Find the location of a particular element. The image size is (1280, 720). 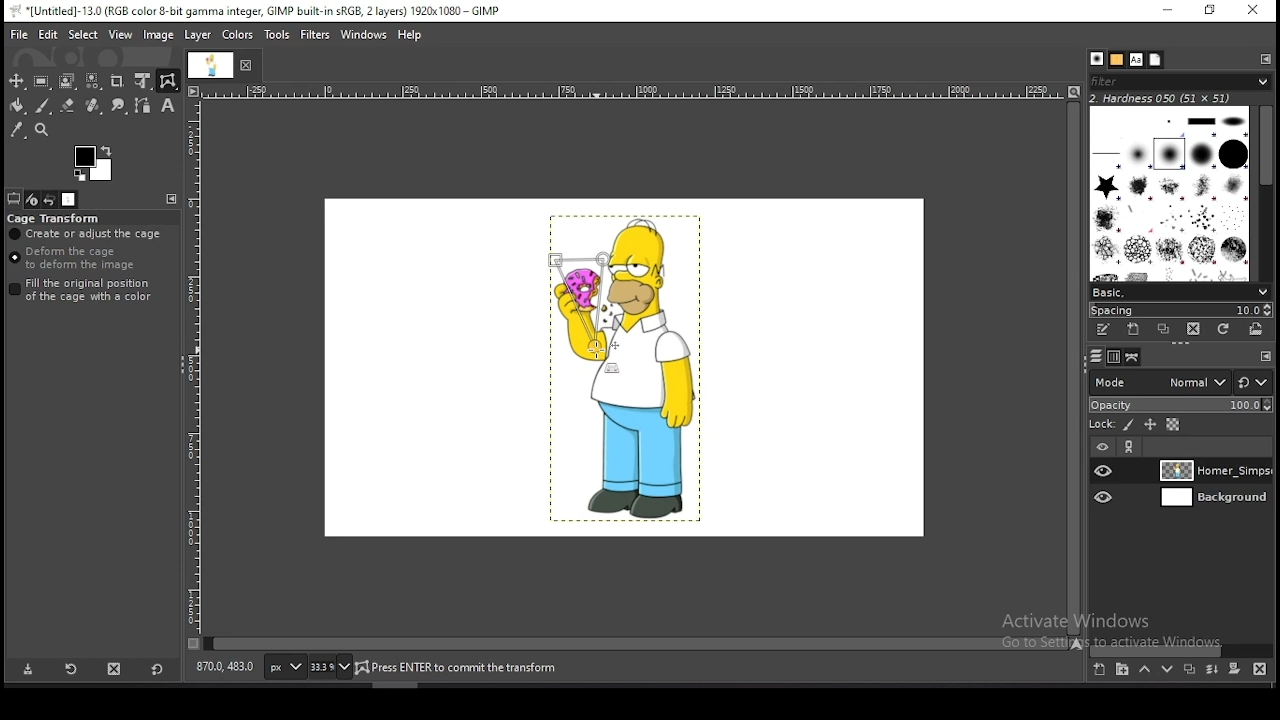

link is located at coordinates (1131, 448).